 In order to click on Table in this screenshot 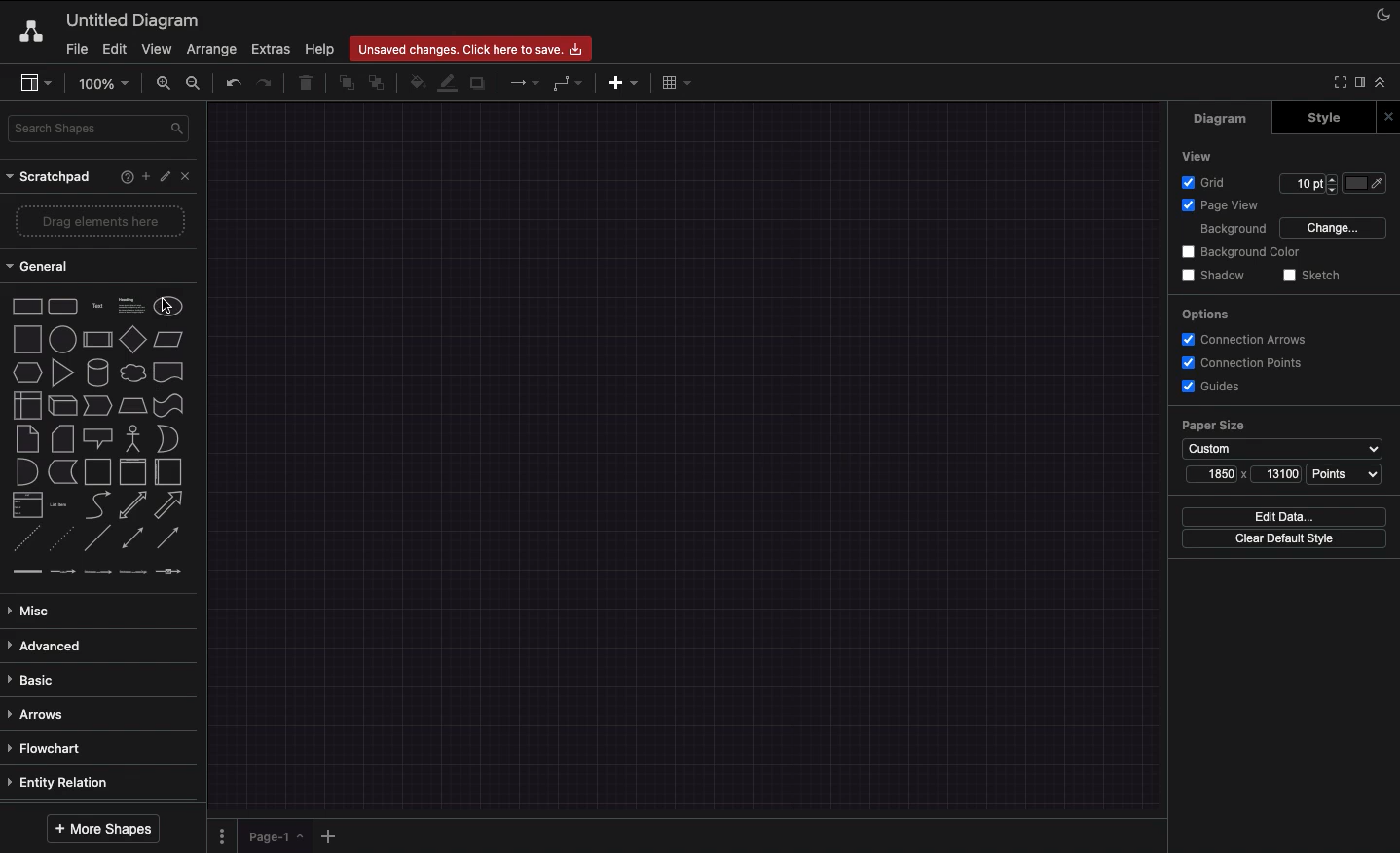, I will do `click(674, 81)`.